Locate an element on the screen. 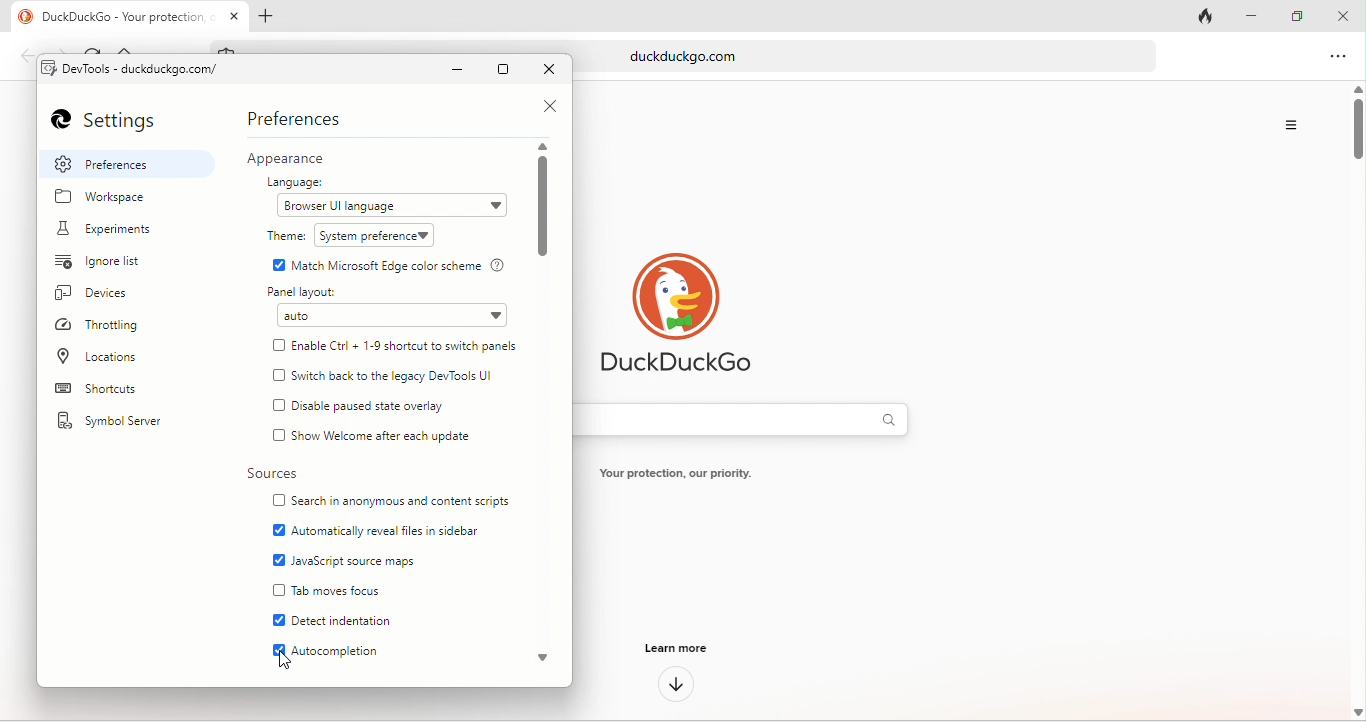 This screenshot has width=1366, height=722. close is located at coordinates (1343, 15).